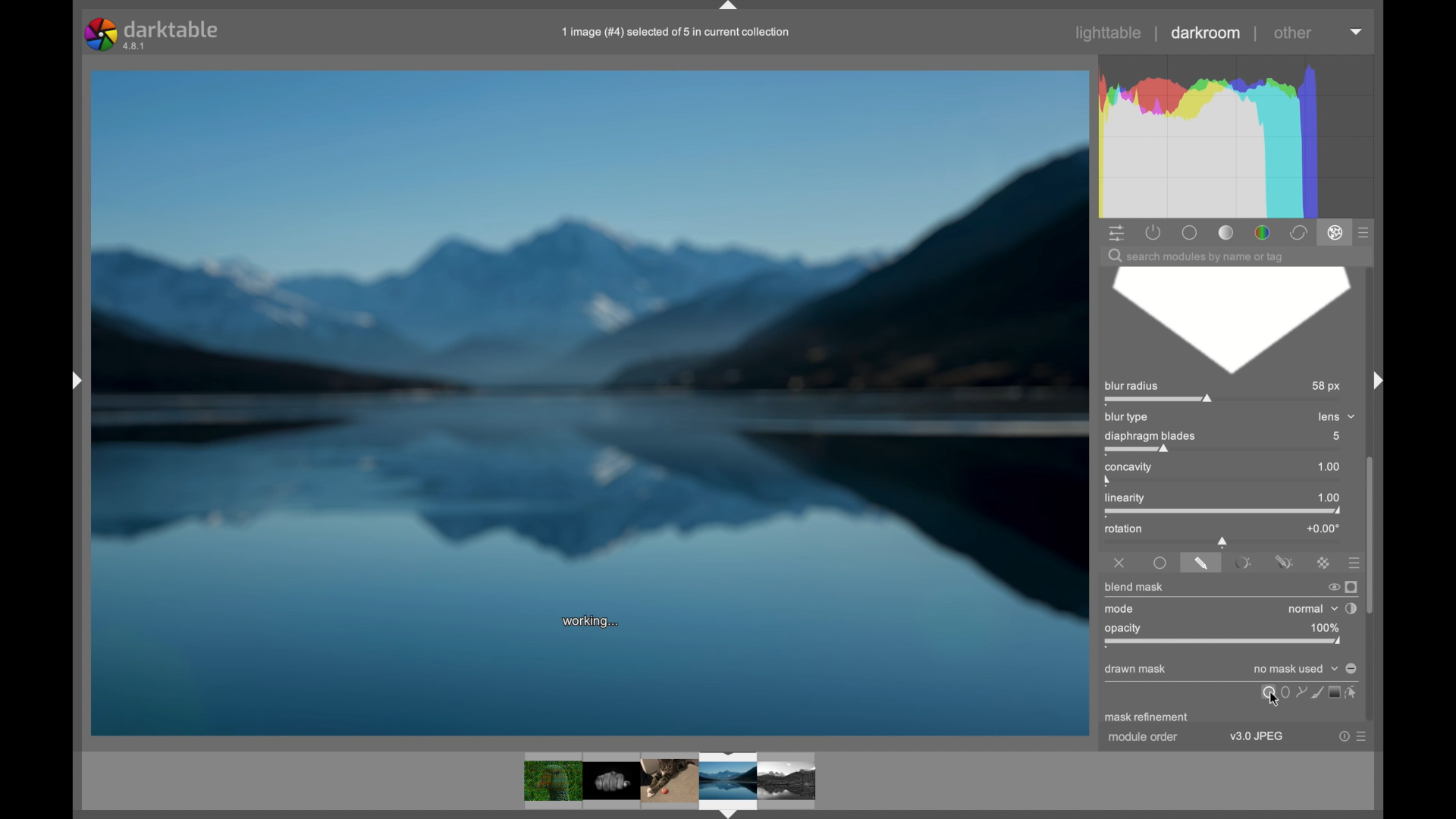 The image size is (1456, 819). What do you see at coordinates (1315, 692) in the screenshot?
I see `icon` at bounding box center [1315, 692].